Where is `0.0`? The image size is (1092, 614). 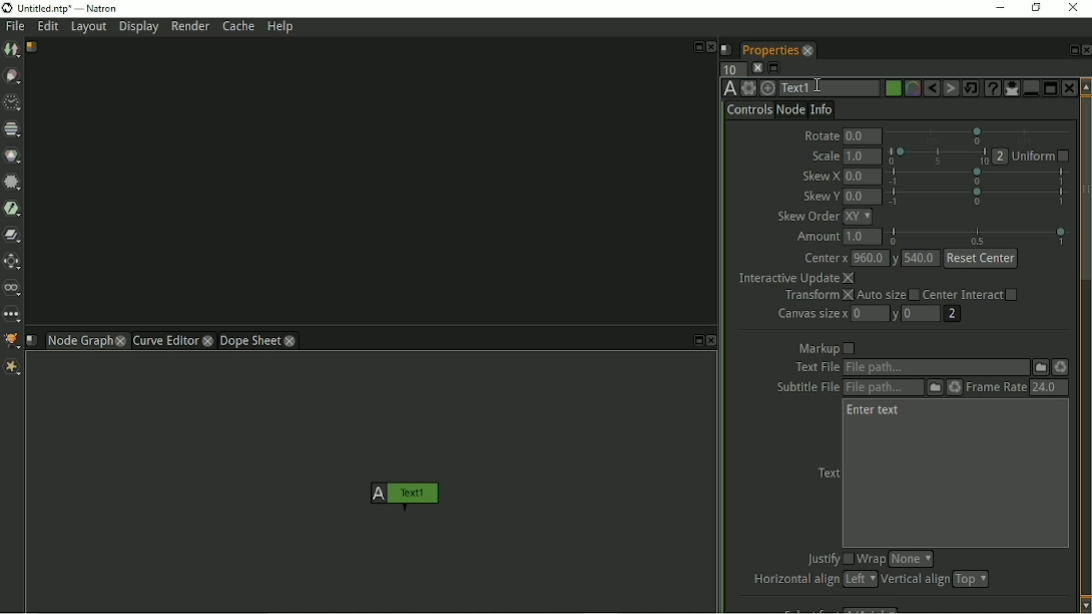 0.0 is located at coordinates (862, 197).